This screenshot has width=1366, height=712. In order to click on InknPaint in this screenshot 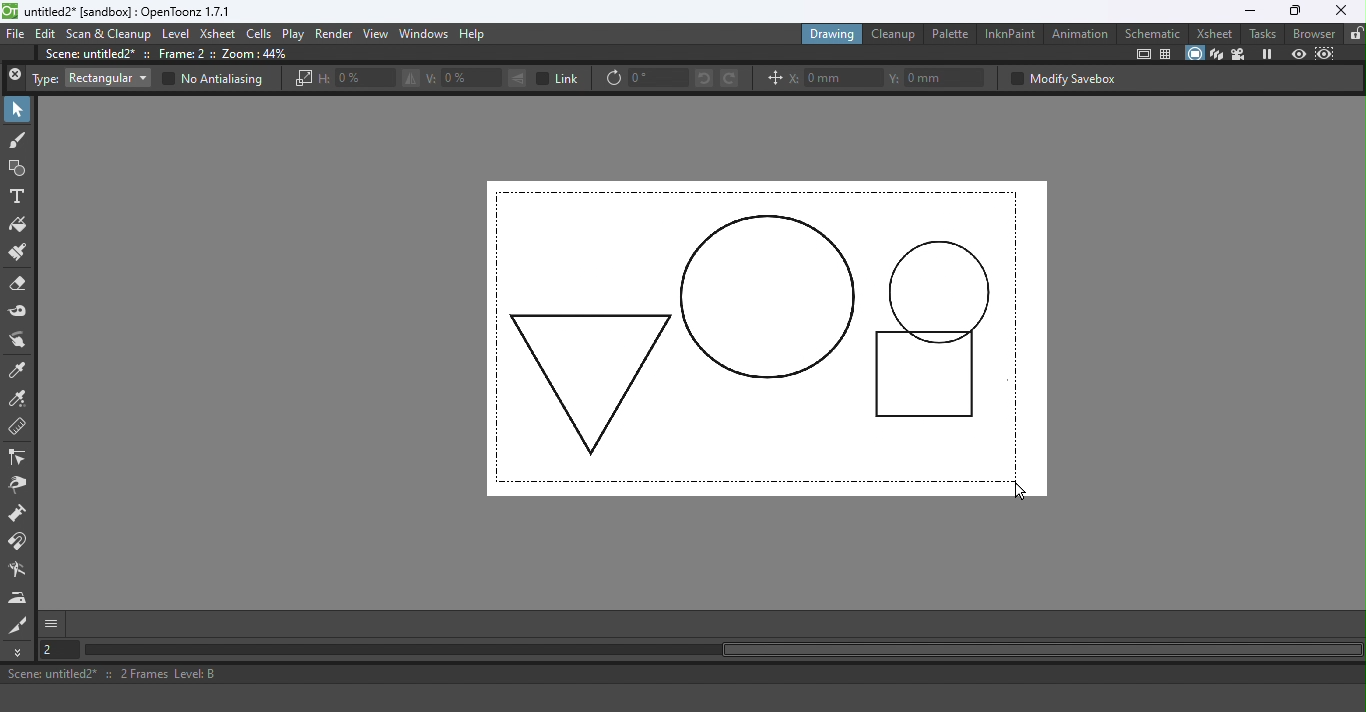, I will do `click(1009, 33)`.